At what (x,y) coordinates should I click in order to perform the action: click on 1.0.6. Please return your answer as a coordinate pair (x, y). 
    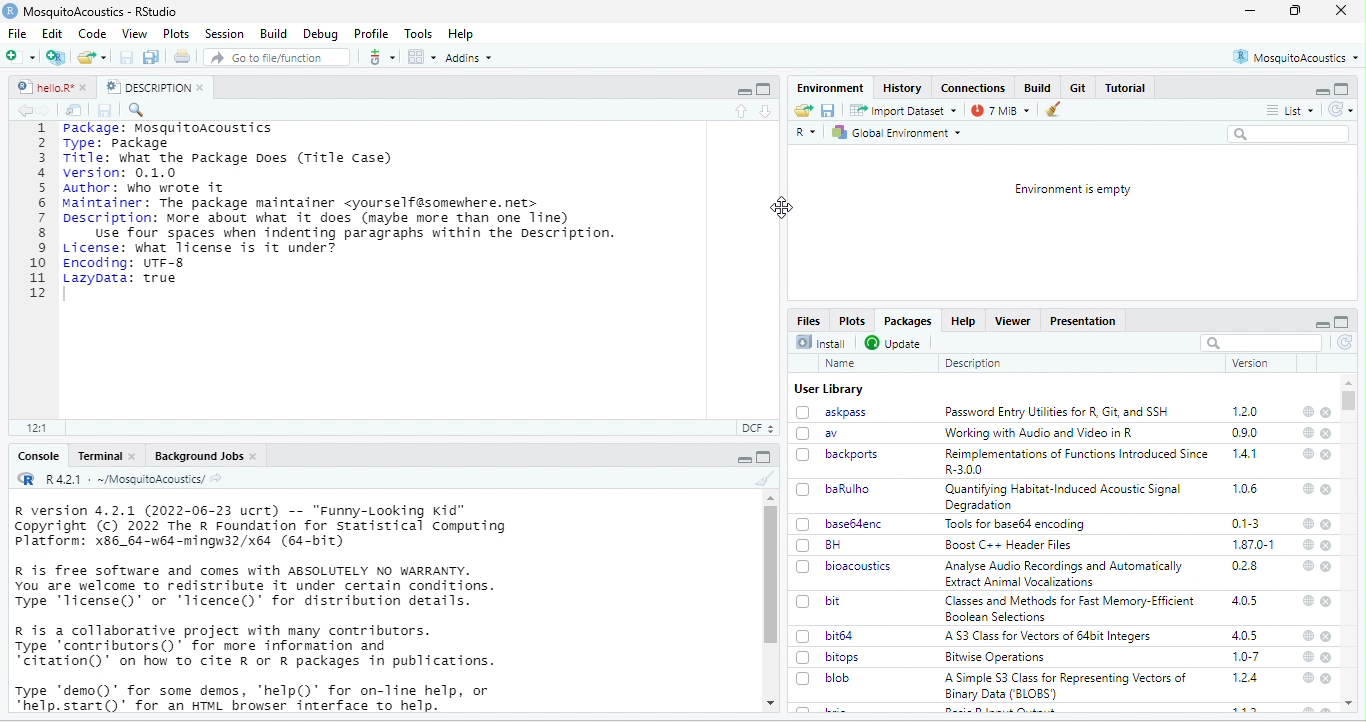
    Looking at the image, I should click on (1244, 488).